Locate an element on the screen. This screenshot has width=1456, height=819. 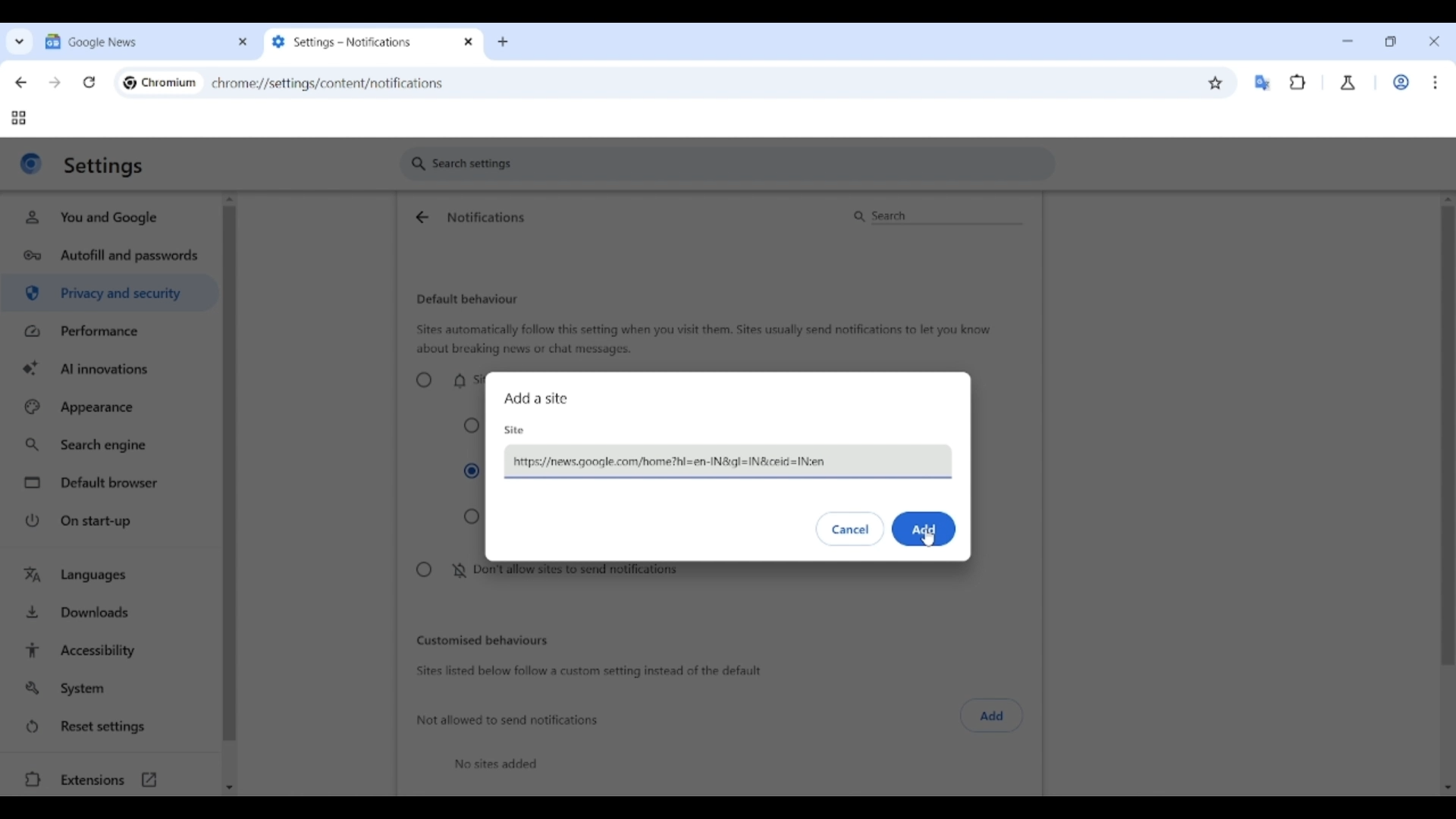
On start-up is located at coordinates (112, 520).